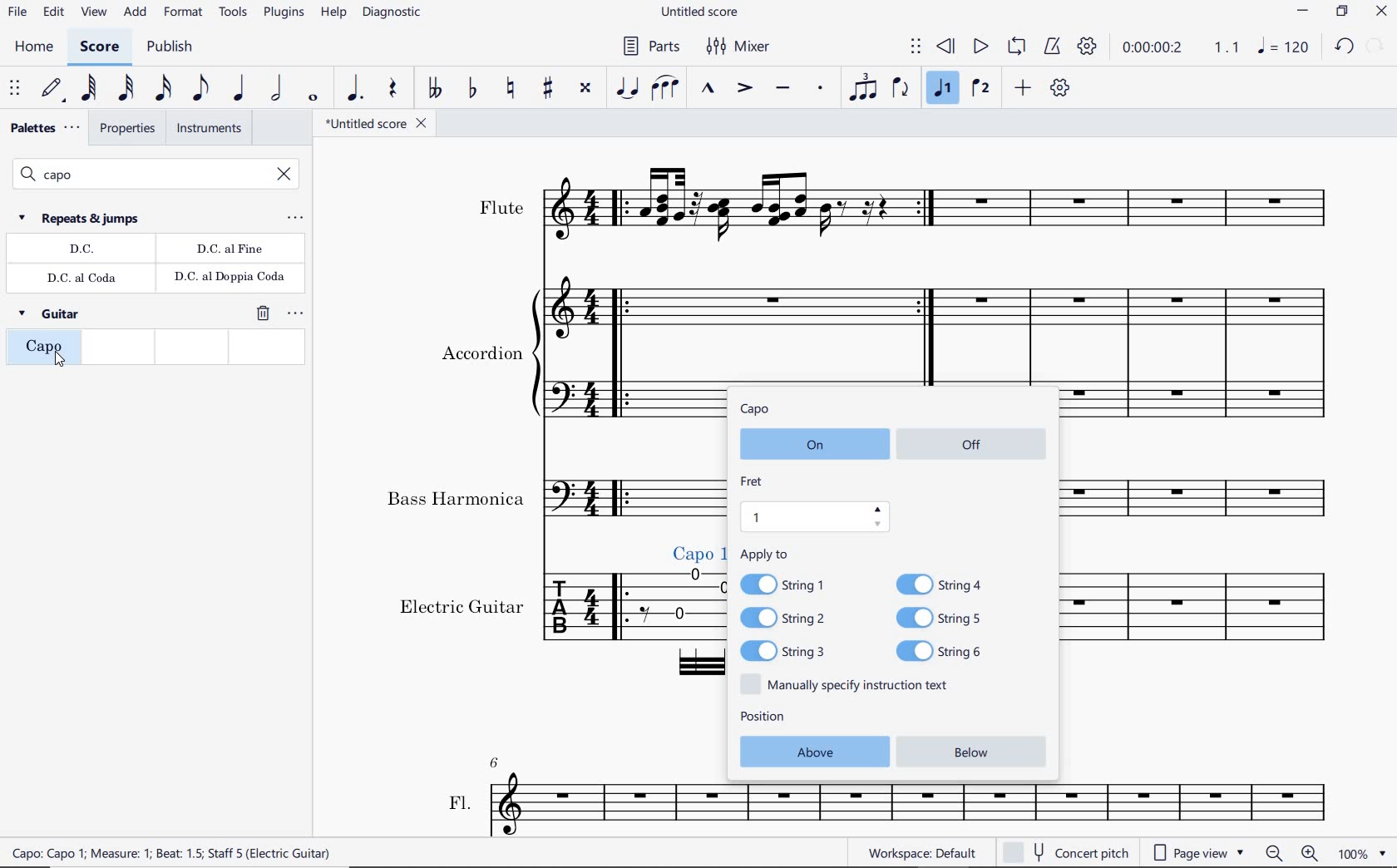 Image resolution: width=1397 pixels, height=868 pixels. What do you see at coordinates (1285, 47) in the screenshot?
I see `NOTE` at bounding box center [1285, 47].